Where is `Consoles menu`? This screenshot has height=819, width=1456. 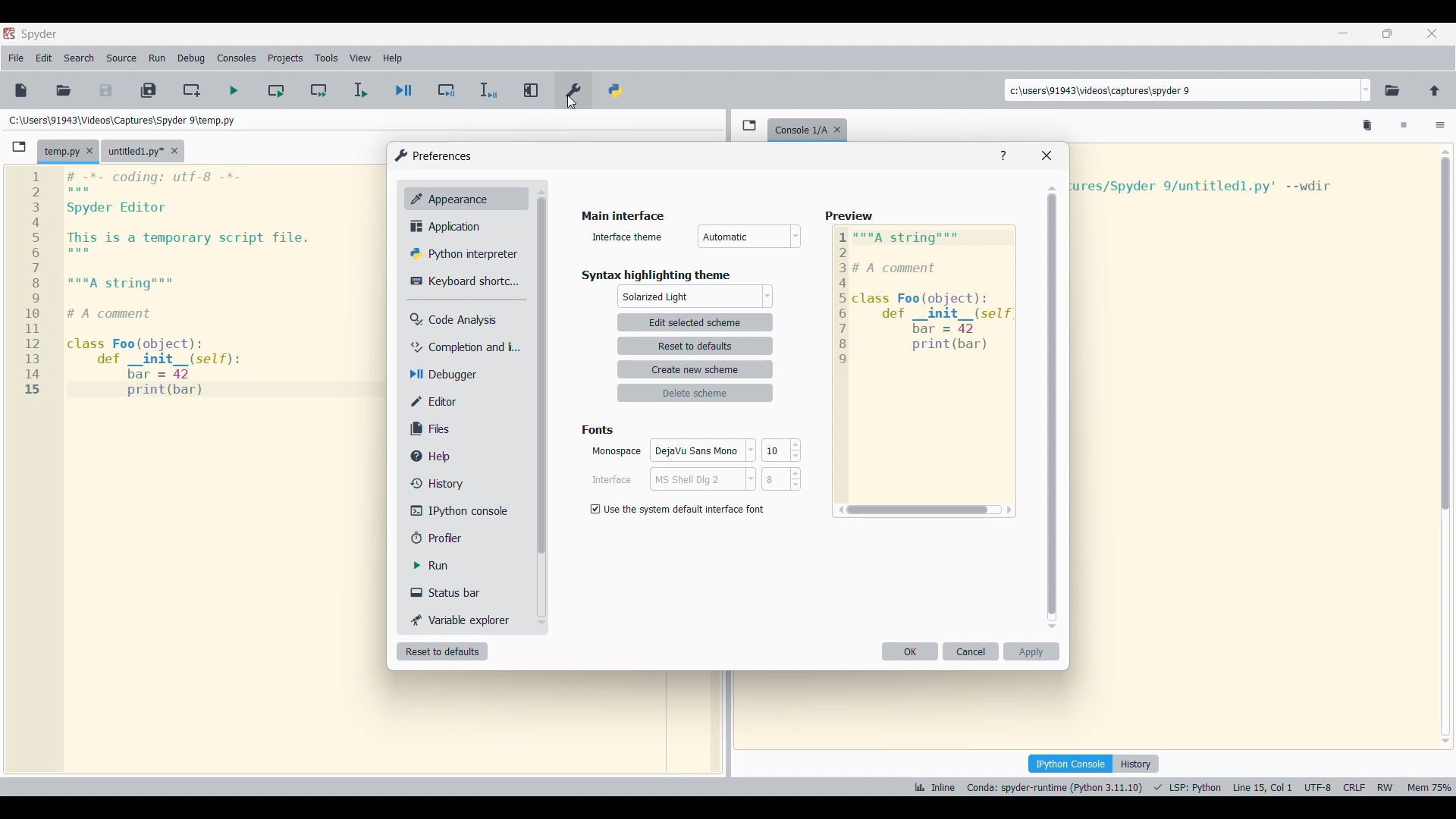
Consoles menu is located at coordinates (237, 58).